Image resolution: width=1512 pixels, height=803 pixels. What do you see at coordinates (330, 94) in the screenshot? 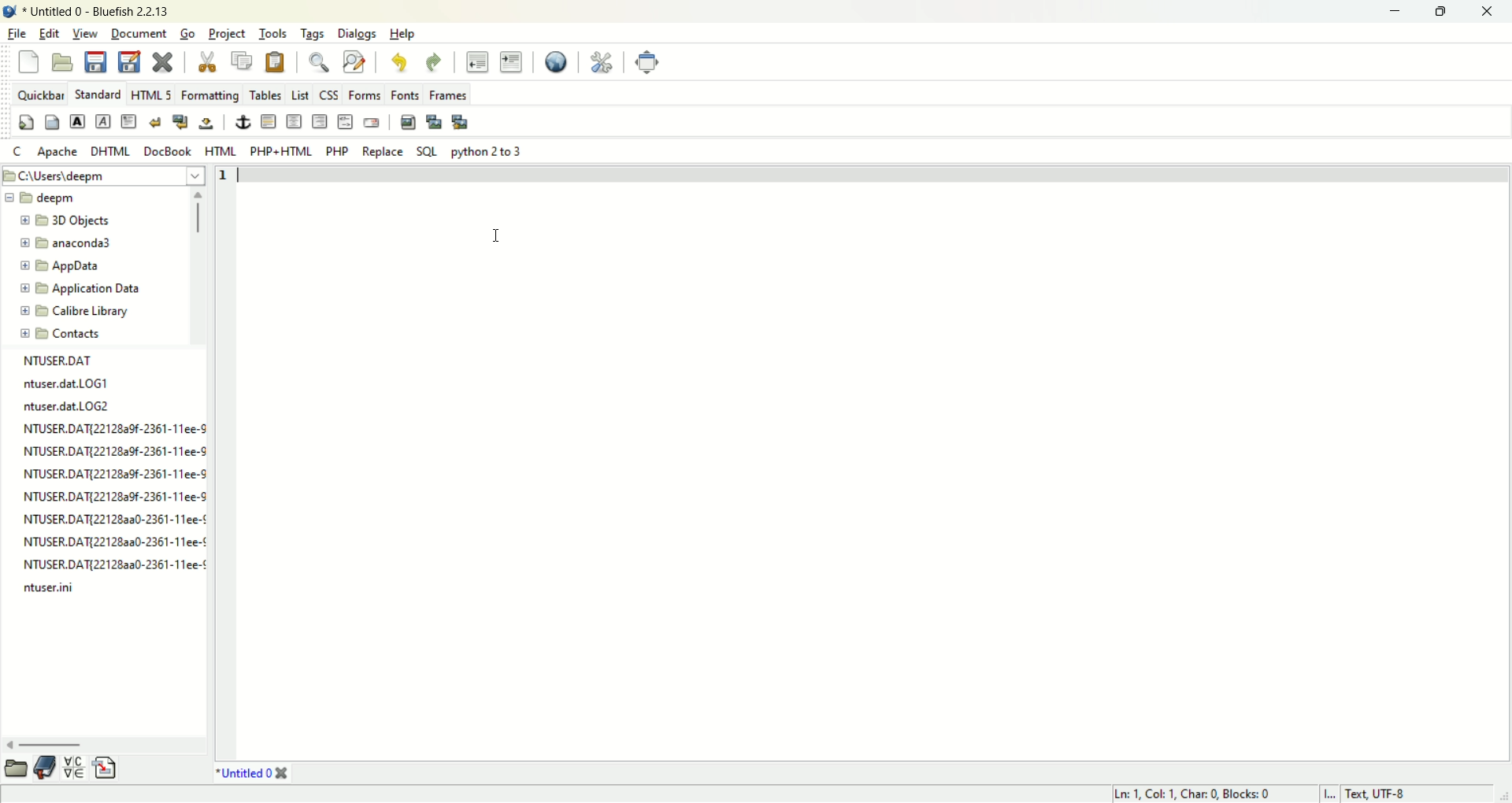
I see `CSS` at bounding box center [330, 94].